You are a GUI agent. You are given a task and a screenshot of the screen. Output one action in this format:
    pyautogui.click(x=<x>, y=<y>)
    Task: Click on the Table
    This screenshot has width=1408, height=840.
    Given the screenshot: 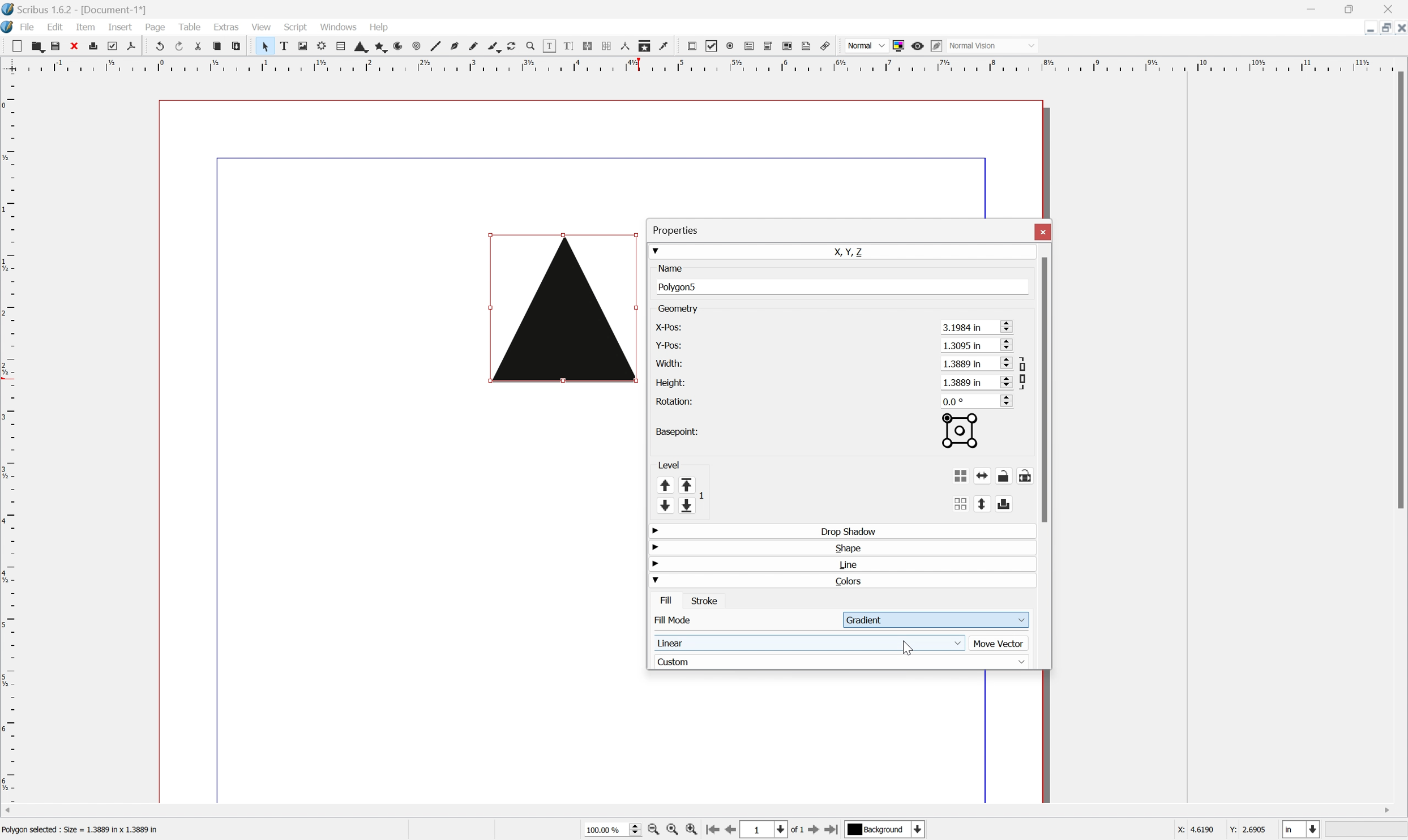 What is the action you would take?
    pyautogui.click(x=190, y=27)
    